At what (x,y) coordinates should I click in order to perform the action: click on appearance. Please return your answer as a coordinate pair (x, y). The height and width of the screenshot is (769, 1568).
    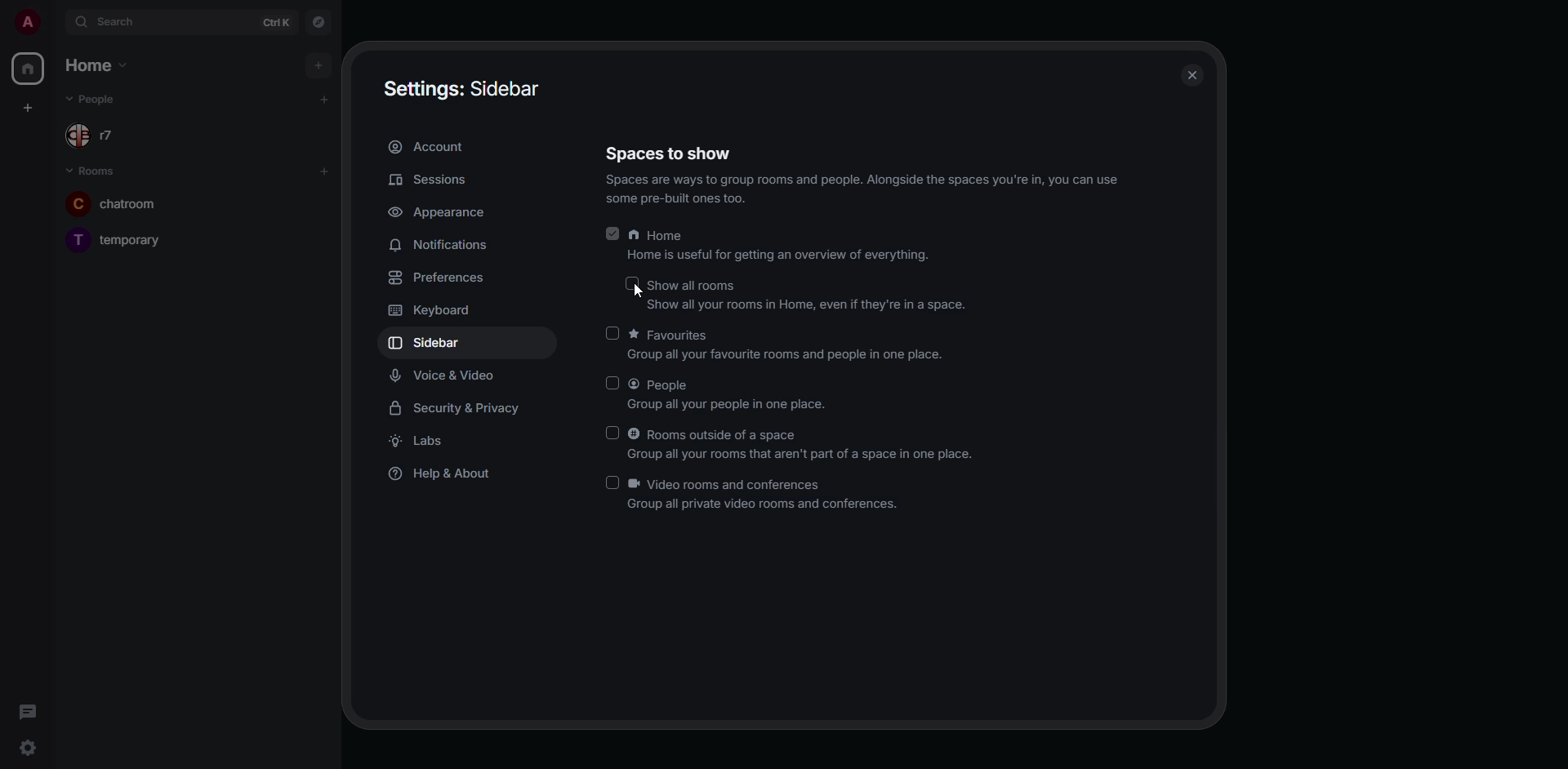
    Looking at the image, I should click on (441, 214).